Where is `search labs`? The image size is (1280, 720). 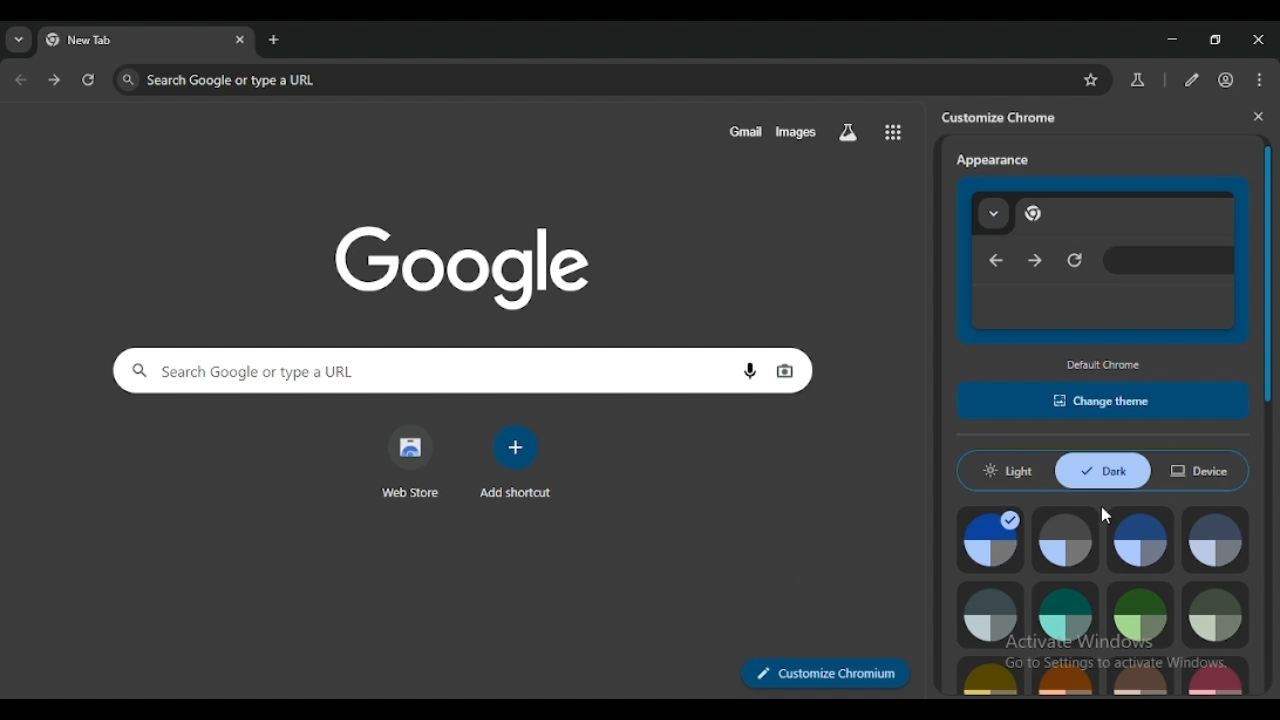
search labs is located at coordinates (848, 132).